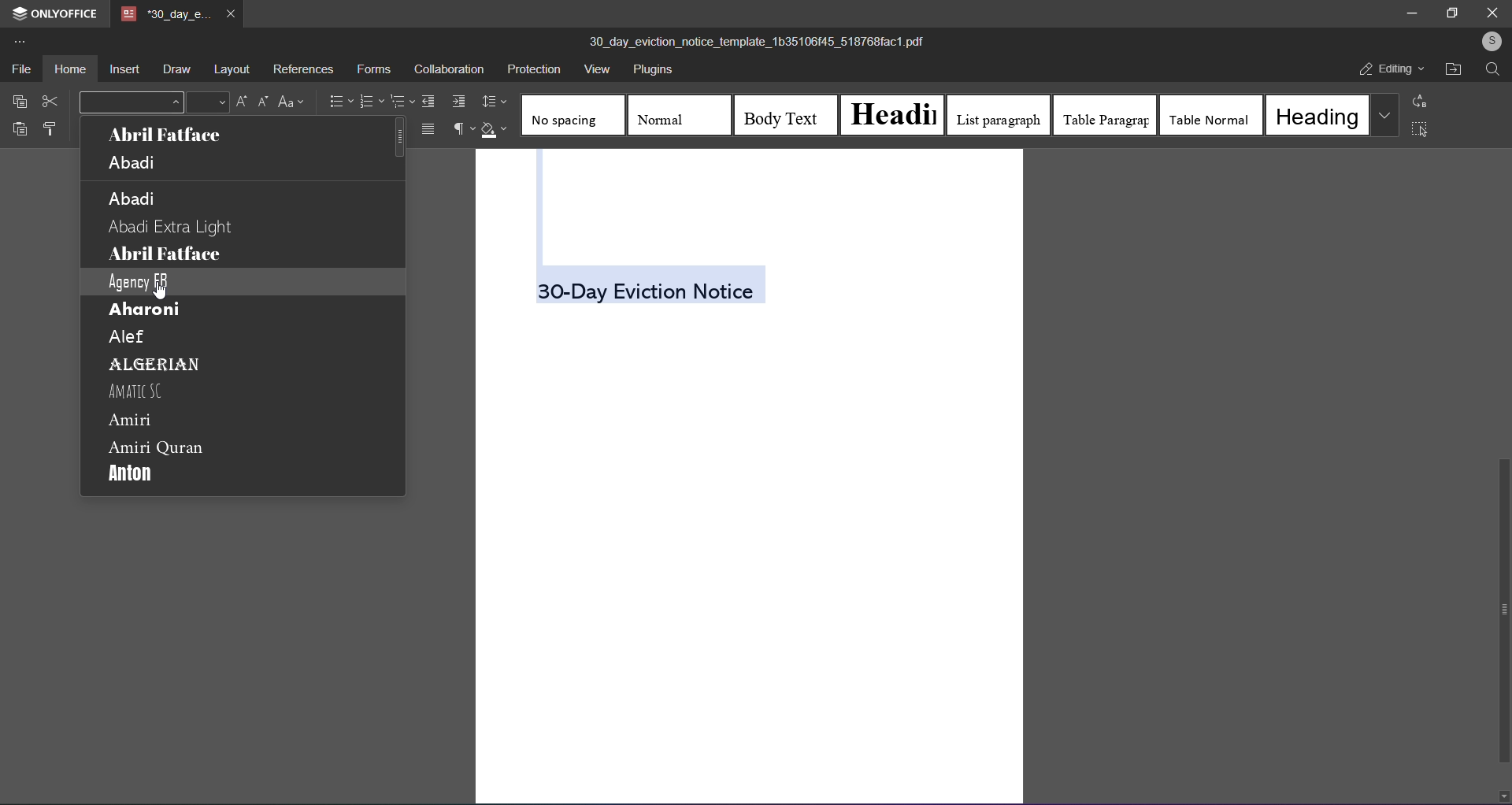 This screenshot has width=1512, height=805. I want to click on abril fatface, so click(167, 254).